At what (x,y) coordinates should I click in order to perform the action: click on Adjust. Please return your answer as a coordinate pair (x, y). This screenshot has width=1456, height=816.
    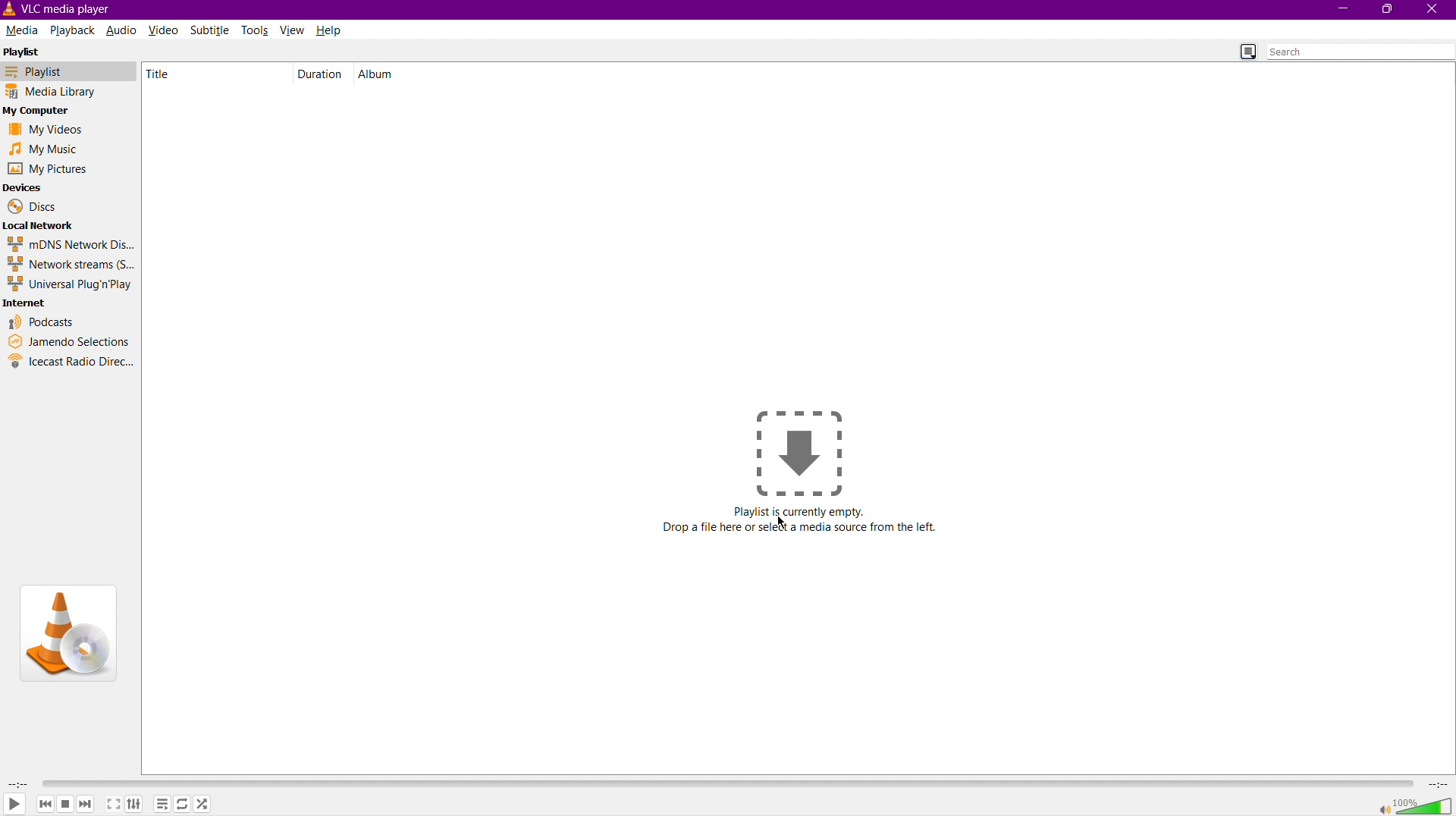
    Looking at the image, I should click on (136, 802).